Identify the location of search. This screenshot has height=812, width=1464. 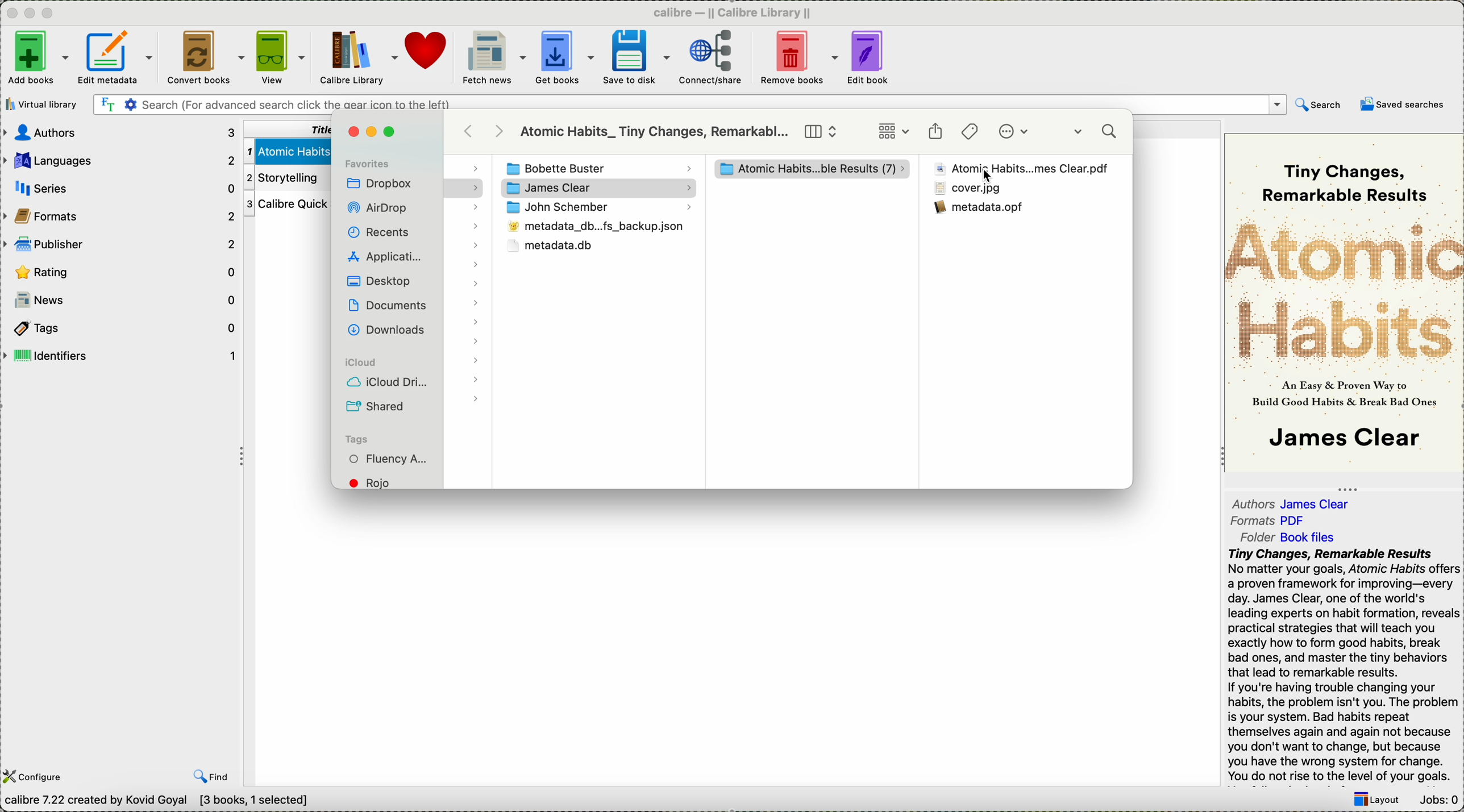
(1097, 134).